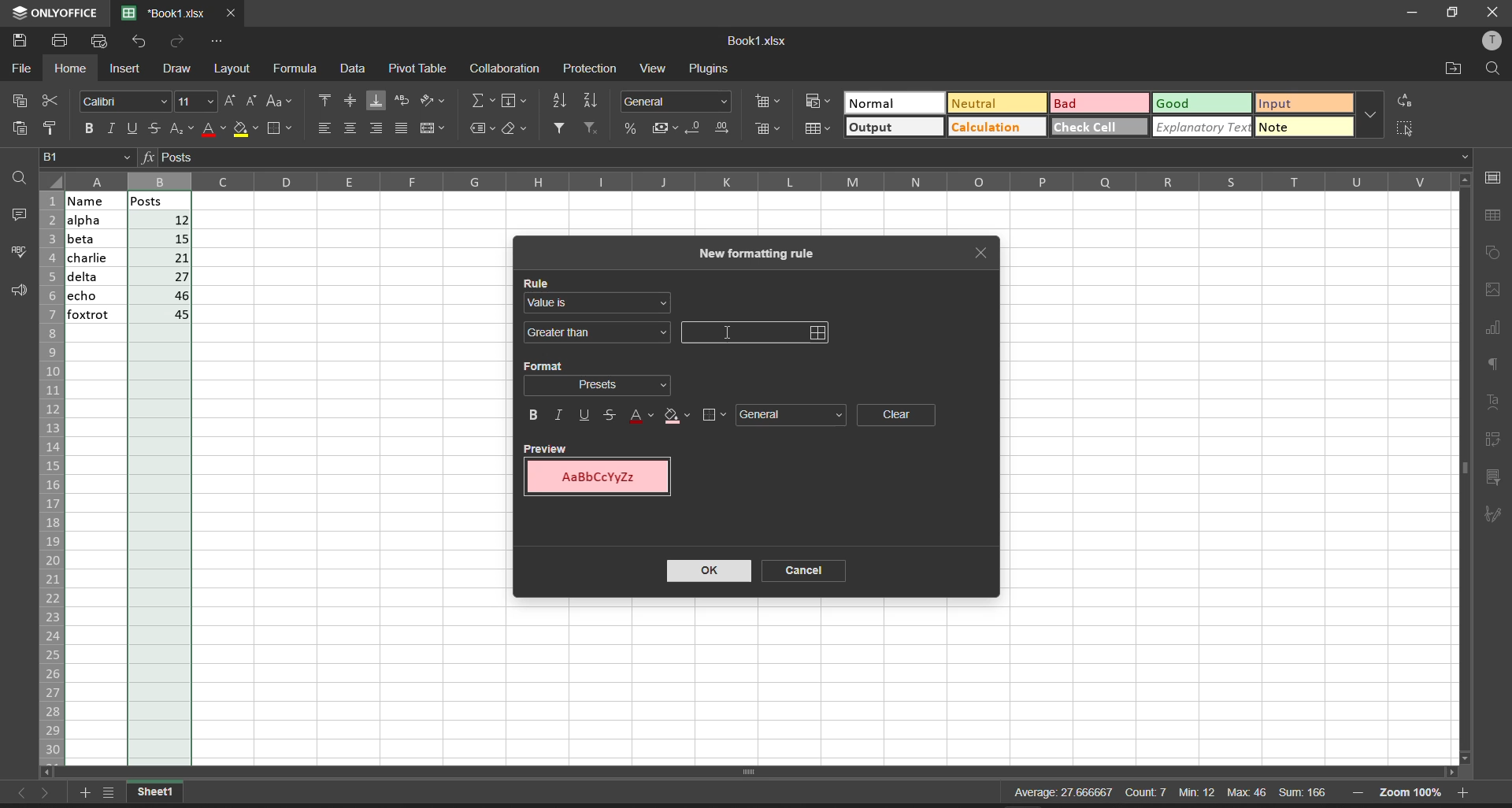 The image size is (1512, 808). I want to click on cut, so click(53, 102).